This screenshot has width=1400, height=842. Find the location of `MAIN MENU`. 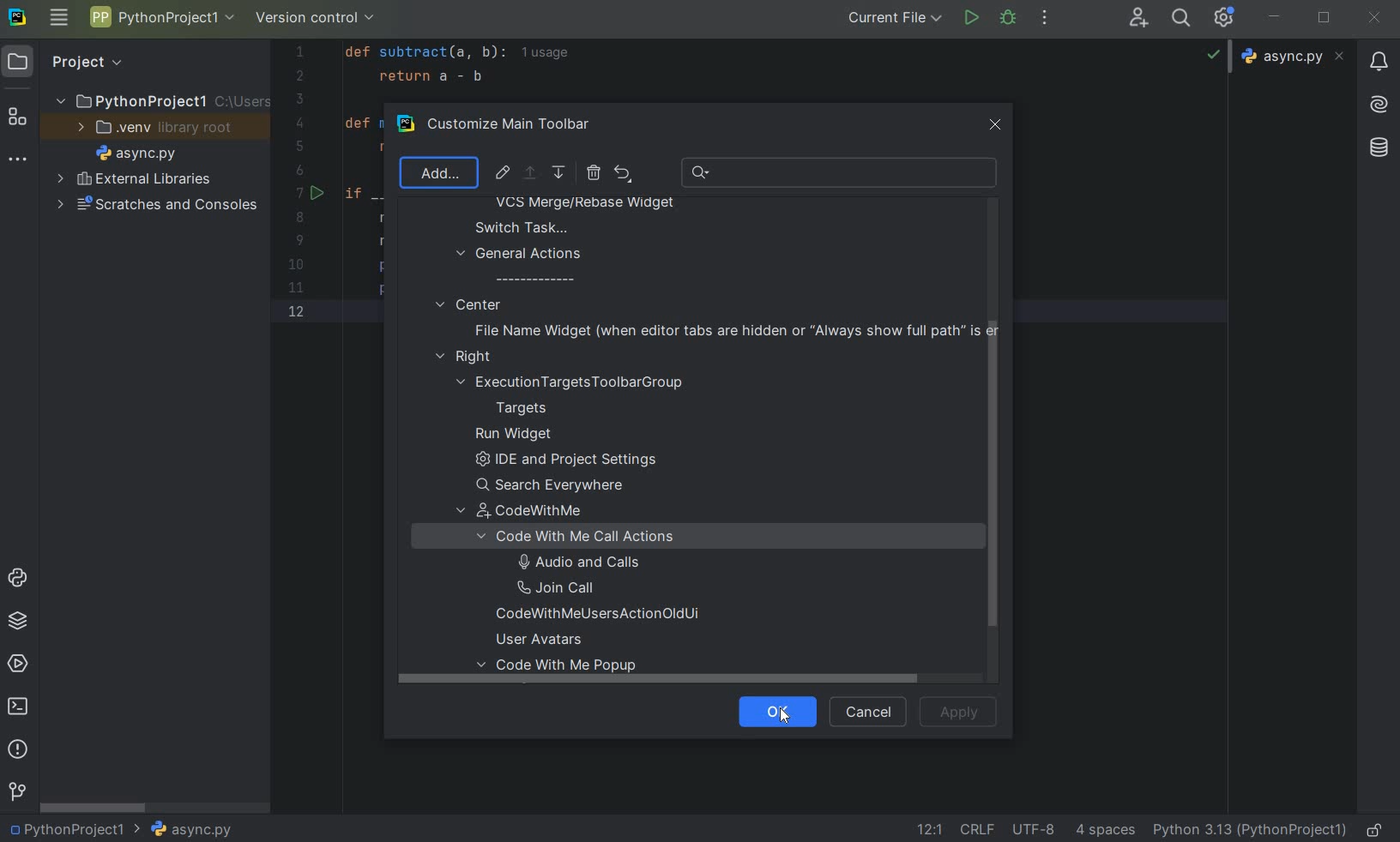

MAIN MENU is located at coordinates (57, 19).